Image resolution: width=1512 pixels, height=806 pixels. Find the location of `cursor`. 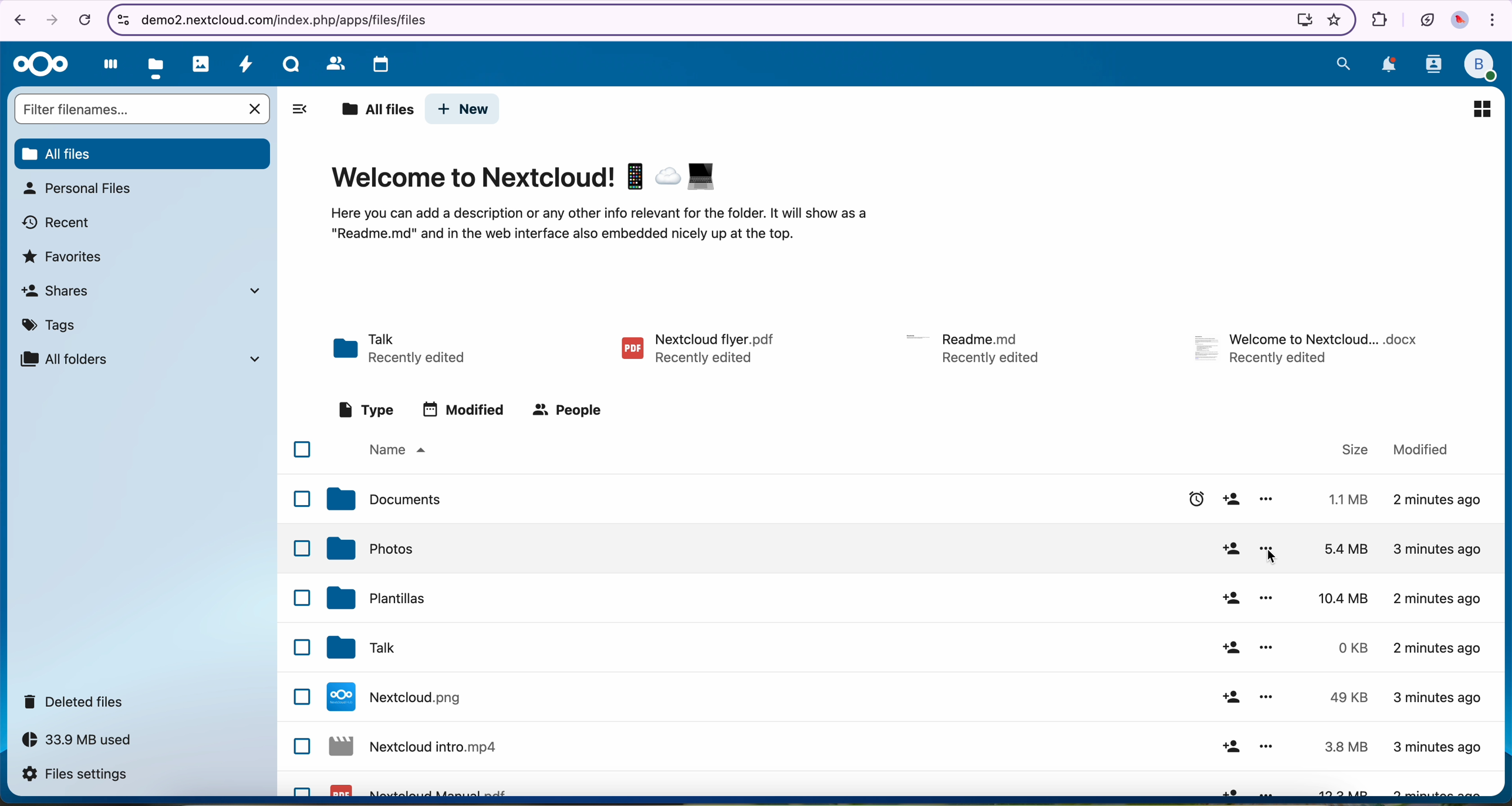

cursor is located at coordinates (1269, 558).